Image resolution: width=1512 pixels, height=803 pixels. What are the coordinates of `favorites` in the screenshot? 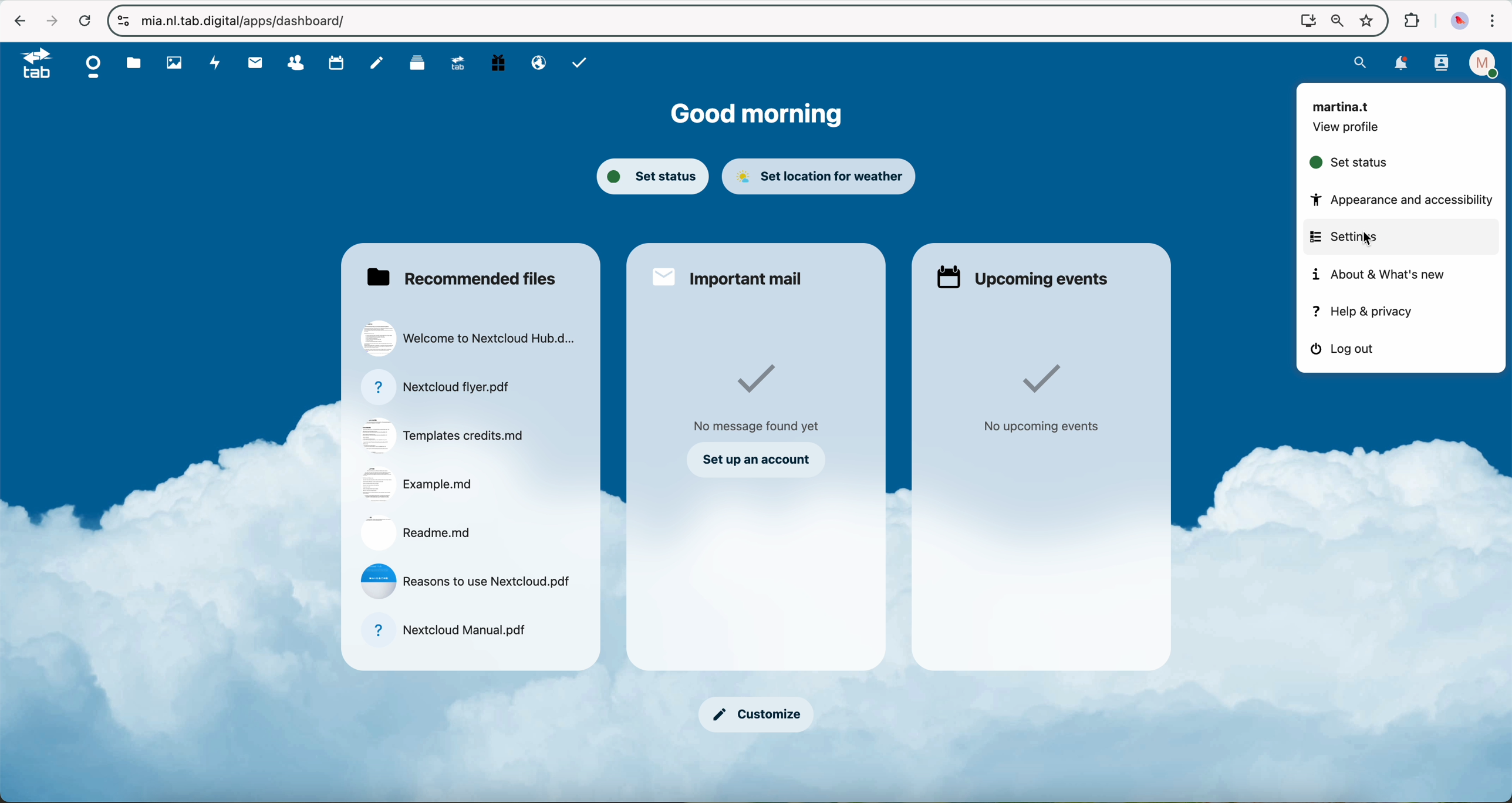 It's located at (1365, 18).